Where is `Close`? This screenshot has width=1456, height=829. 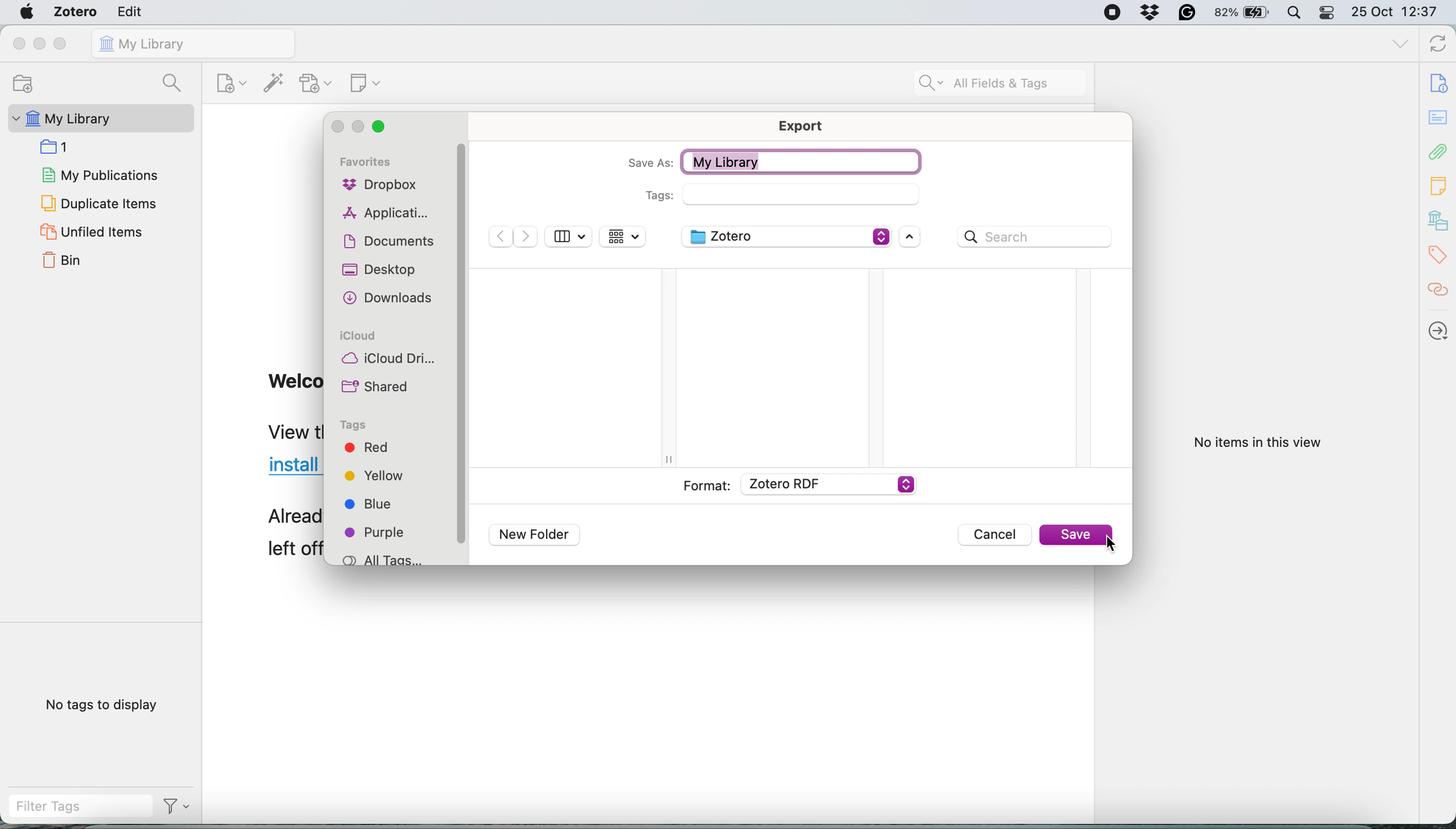 Close is located at coordinates (379, 126).